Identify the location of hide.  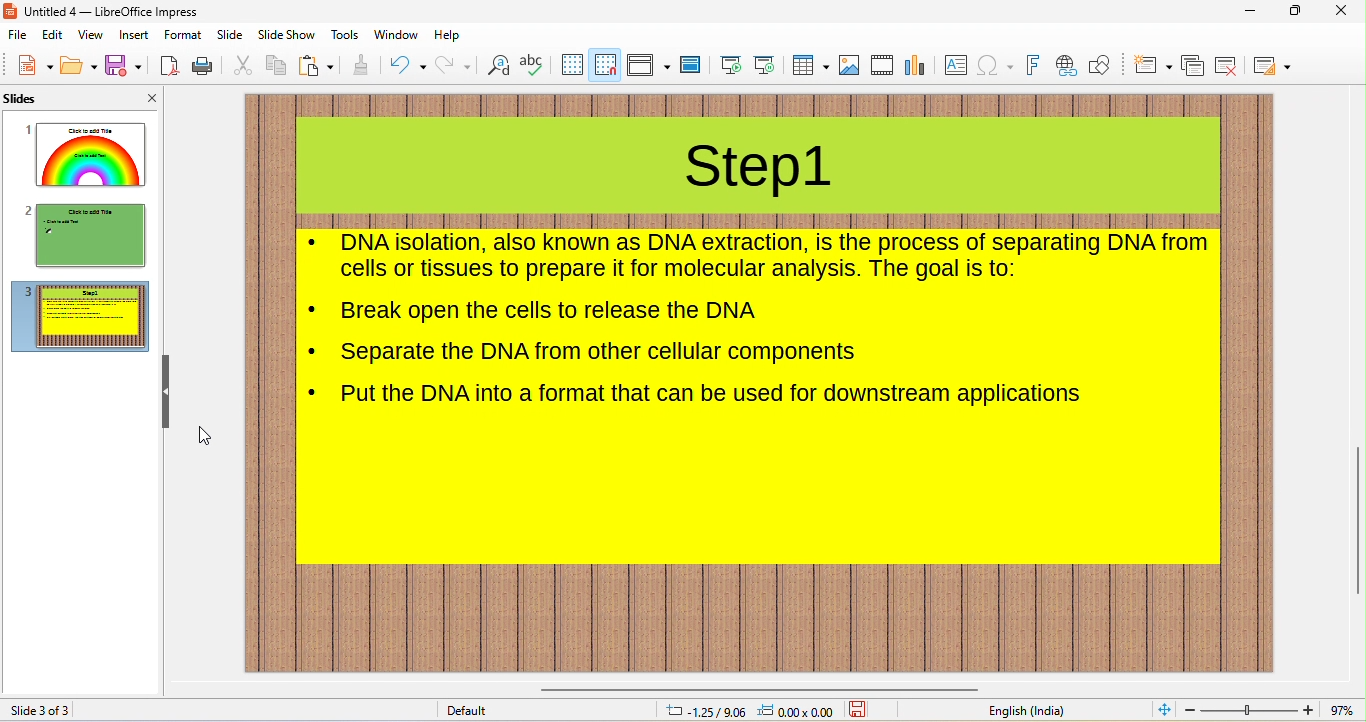
(167, 393).